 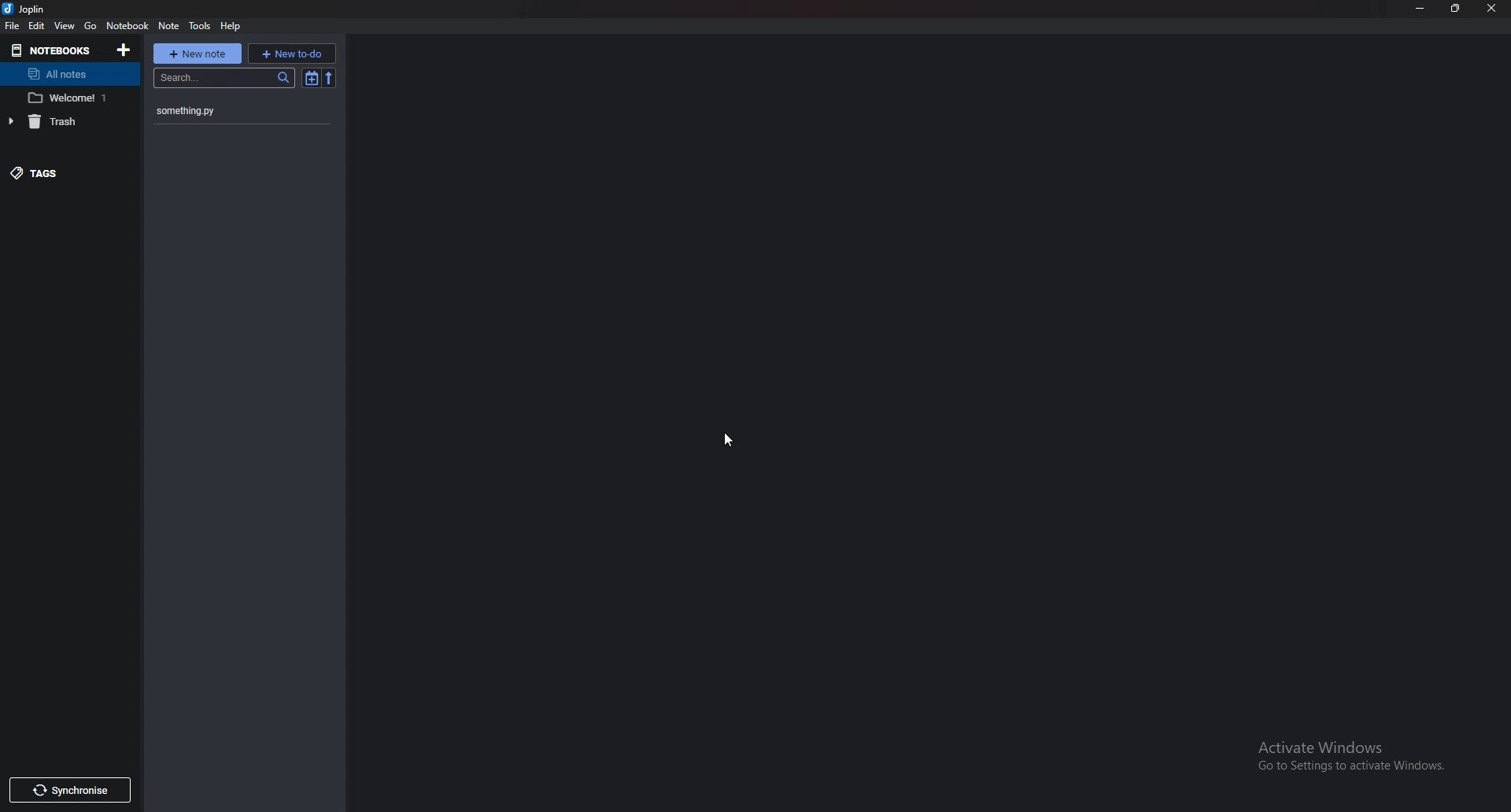 I want to click on Tags, so click(x=61, y=172).